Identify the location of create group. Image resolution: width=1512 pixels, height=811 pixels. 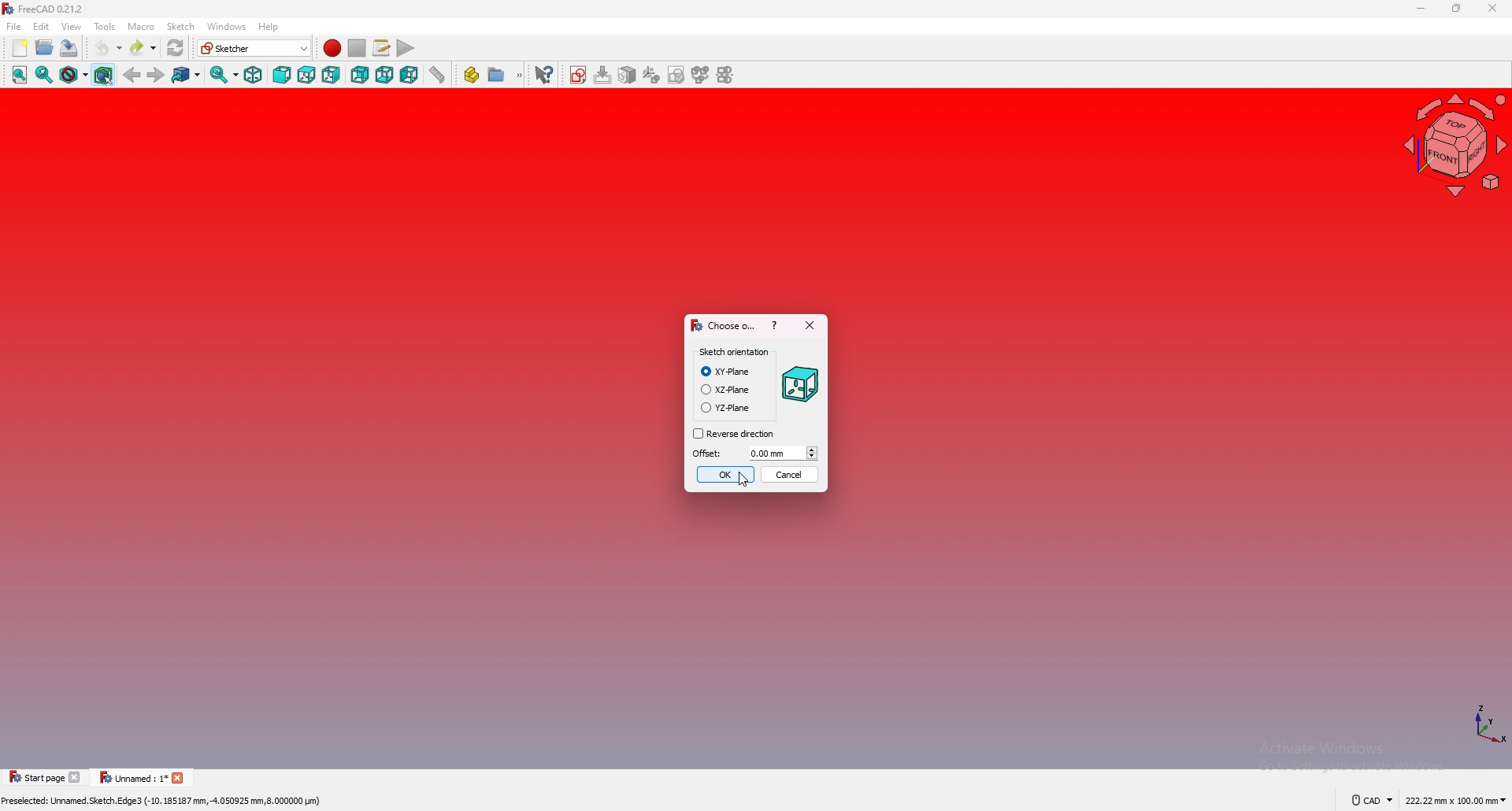
(505, 76).